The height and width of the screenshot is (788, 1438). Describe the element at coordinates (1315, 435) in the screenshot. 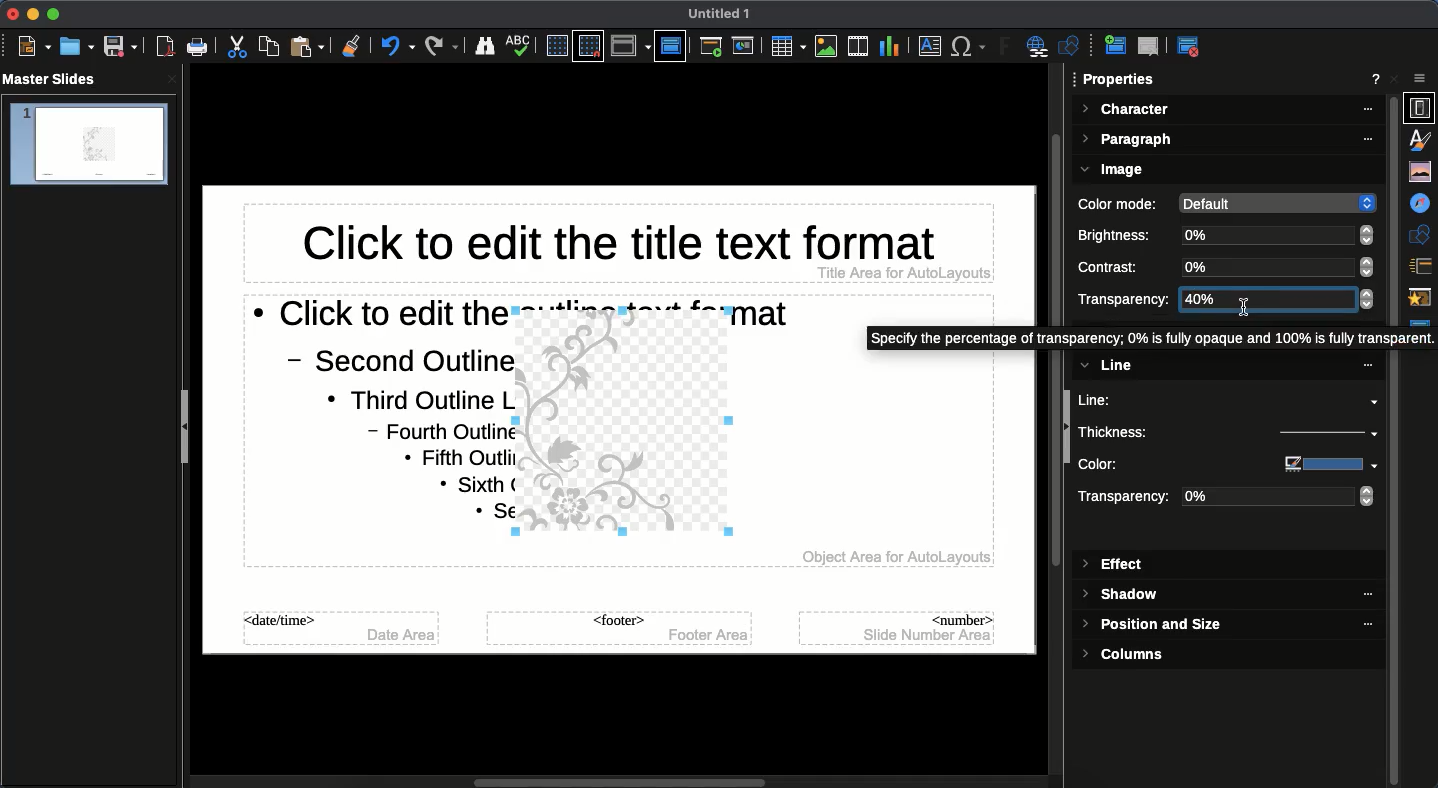

I see `thickness input` at that location.